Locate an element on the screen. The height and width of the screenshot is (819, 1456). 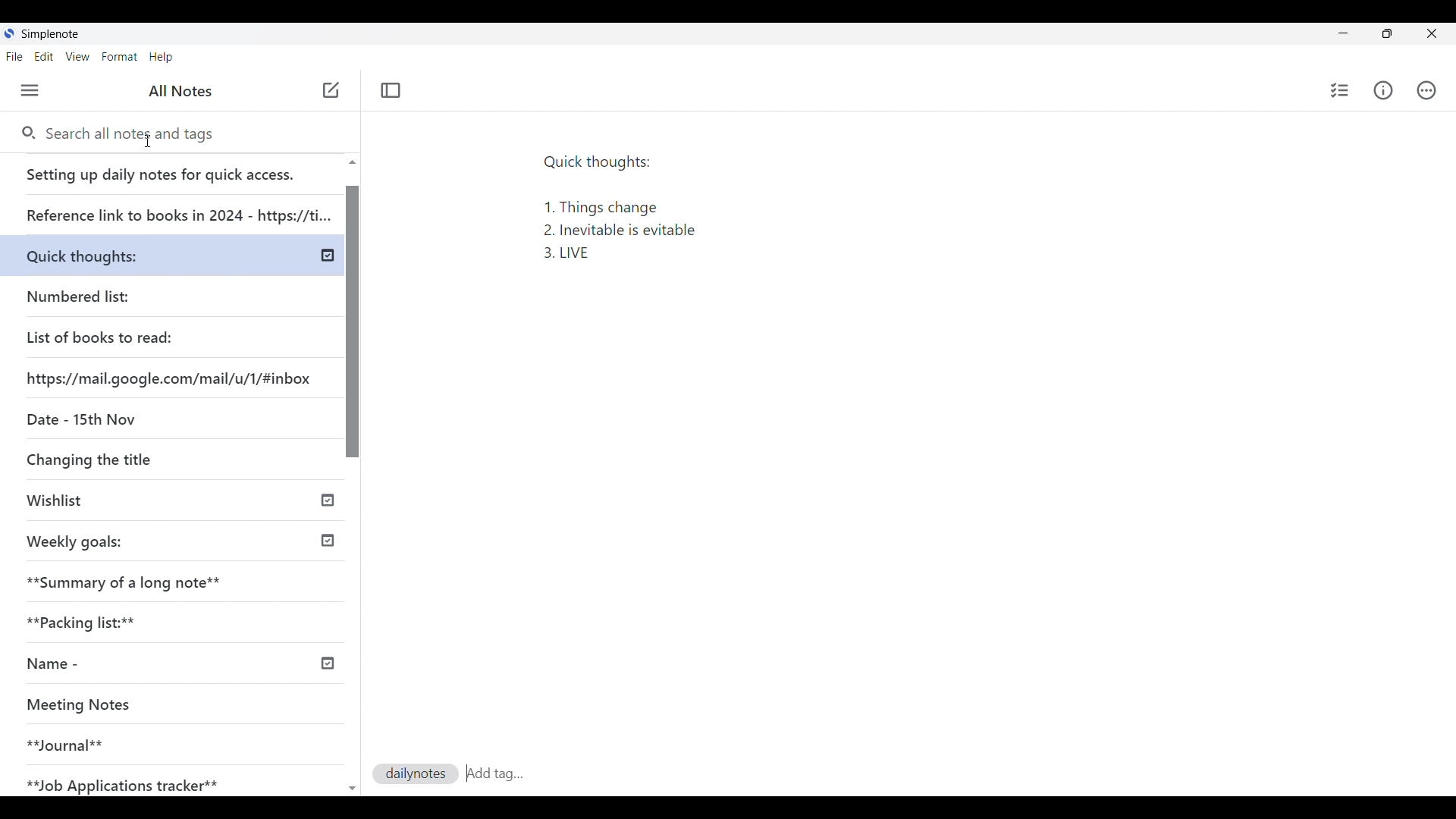
Close  is located at coordinates (1432, 33).